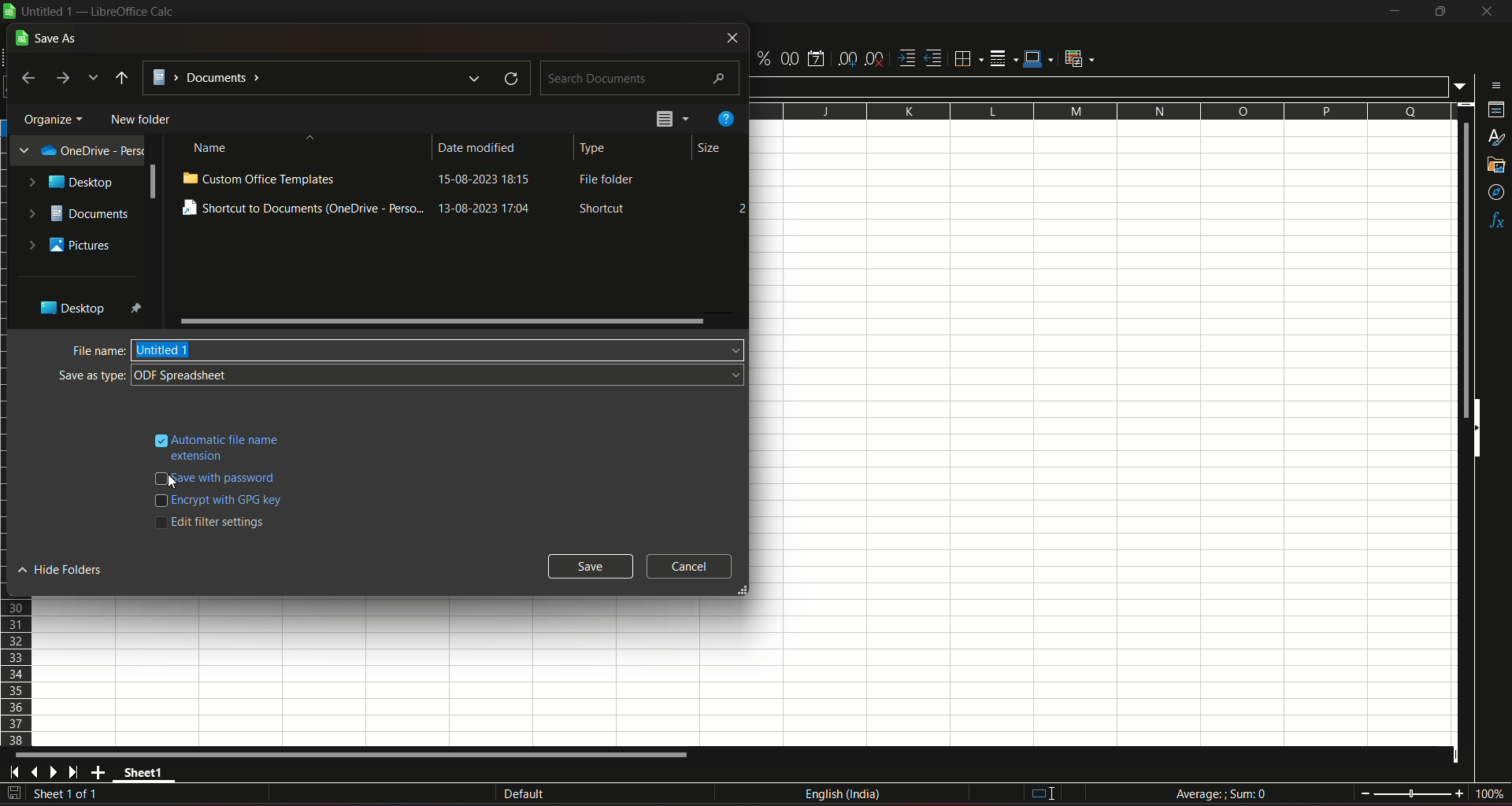 This screenshot has width=1512, height=806. Describe the element at coordinates (28, 79) in the screenshot. I see `last` at that location.